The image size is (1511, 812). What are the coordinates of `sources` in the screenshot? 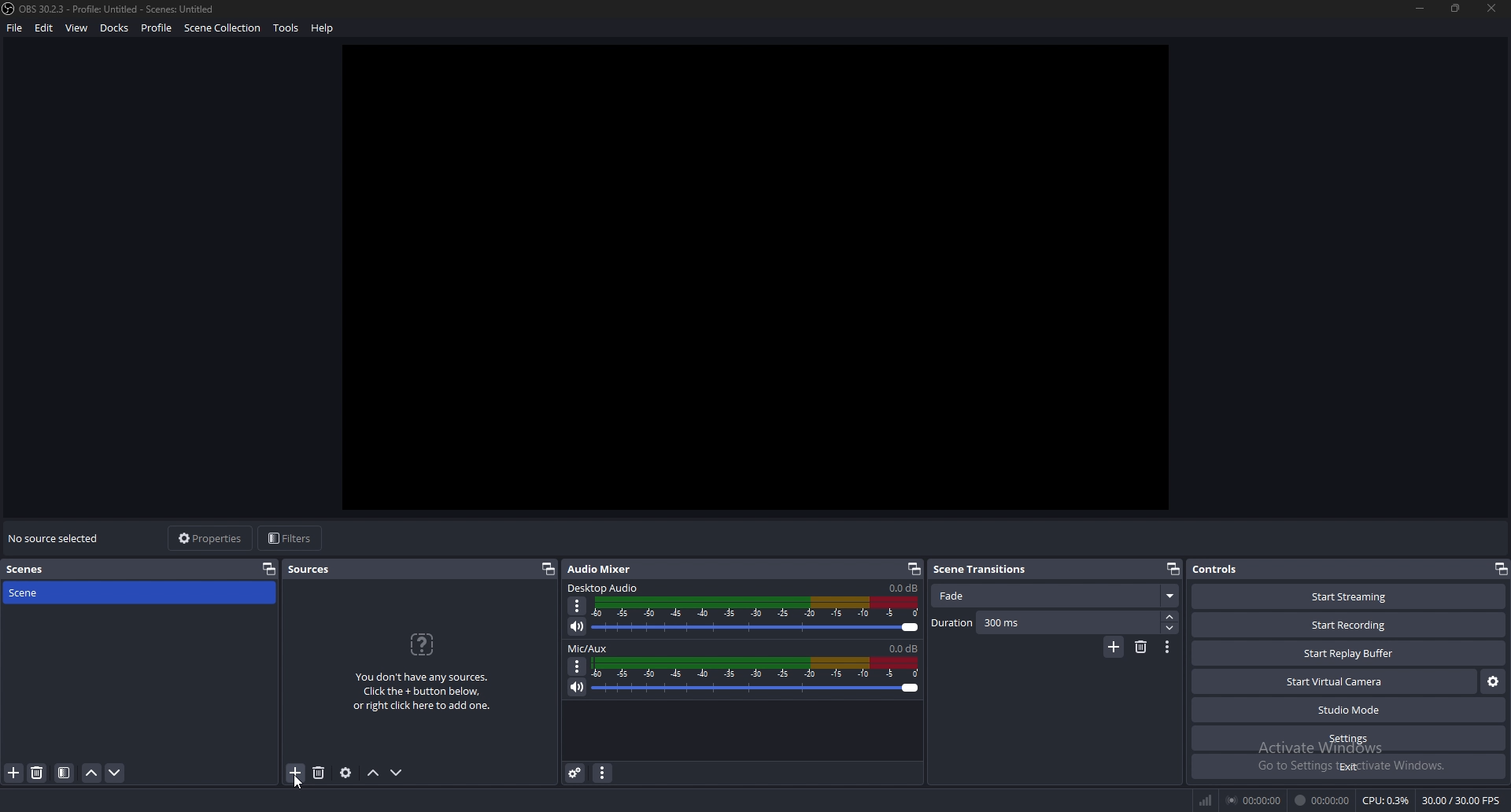 It's located at (317, 570).